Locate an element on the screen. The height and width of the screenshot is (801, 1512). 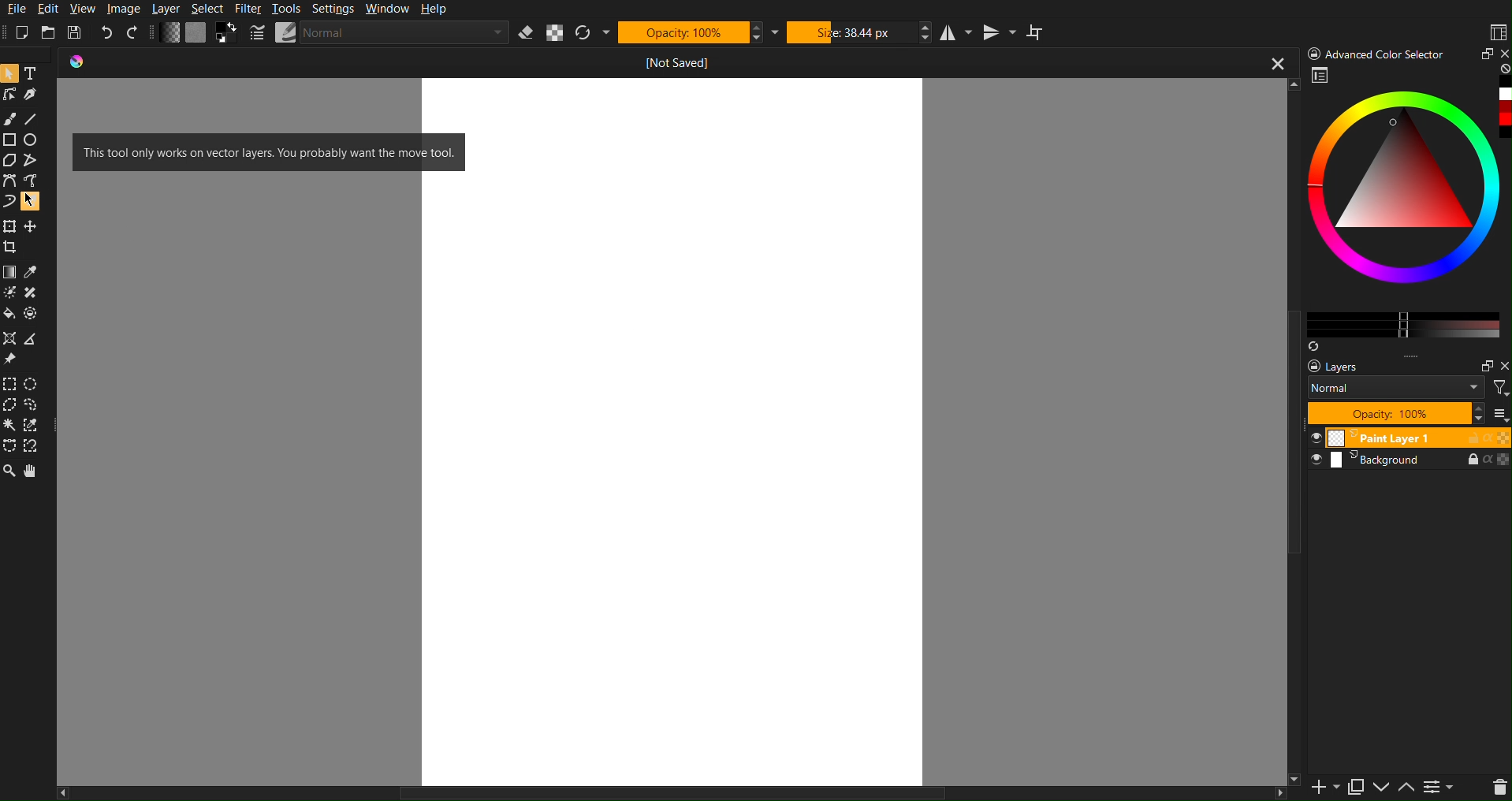
close is located at coordinates (1503, 367).